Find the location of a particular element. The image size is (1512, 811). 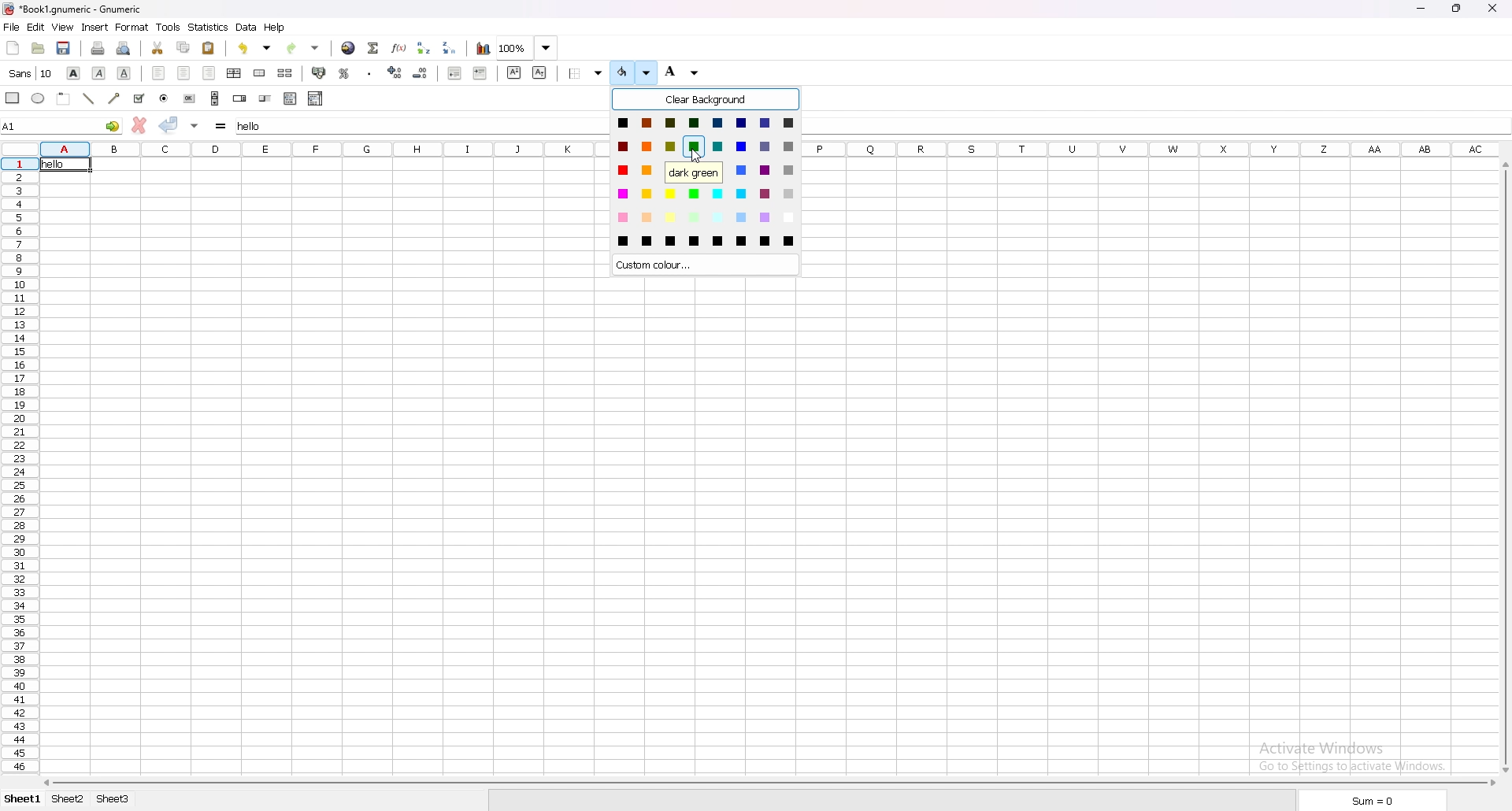

minimize is located at coordinates (1420, 8).